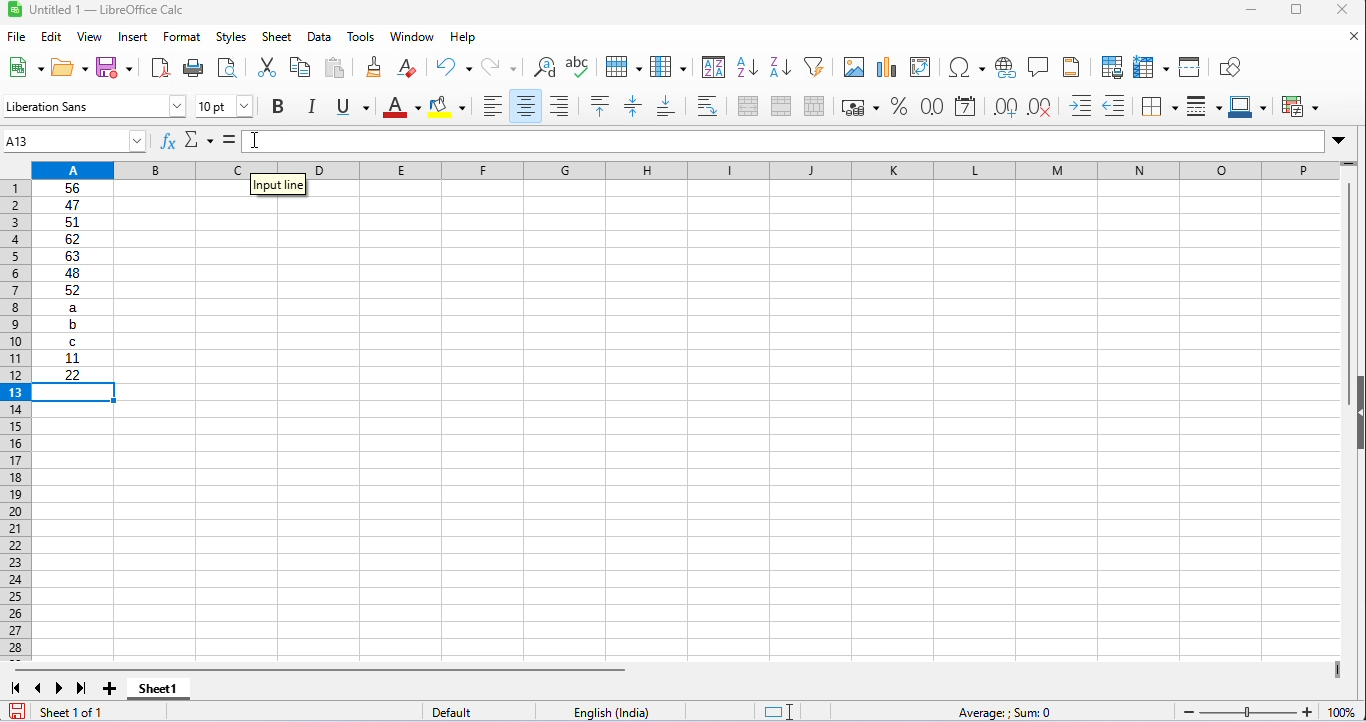 The height and width of the screenshot is (722, 1366). I want to click on Expand/Collapse, so click(1338, 141).